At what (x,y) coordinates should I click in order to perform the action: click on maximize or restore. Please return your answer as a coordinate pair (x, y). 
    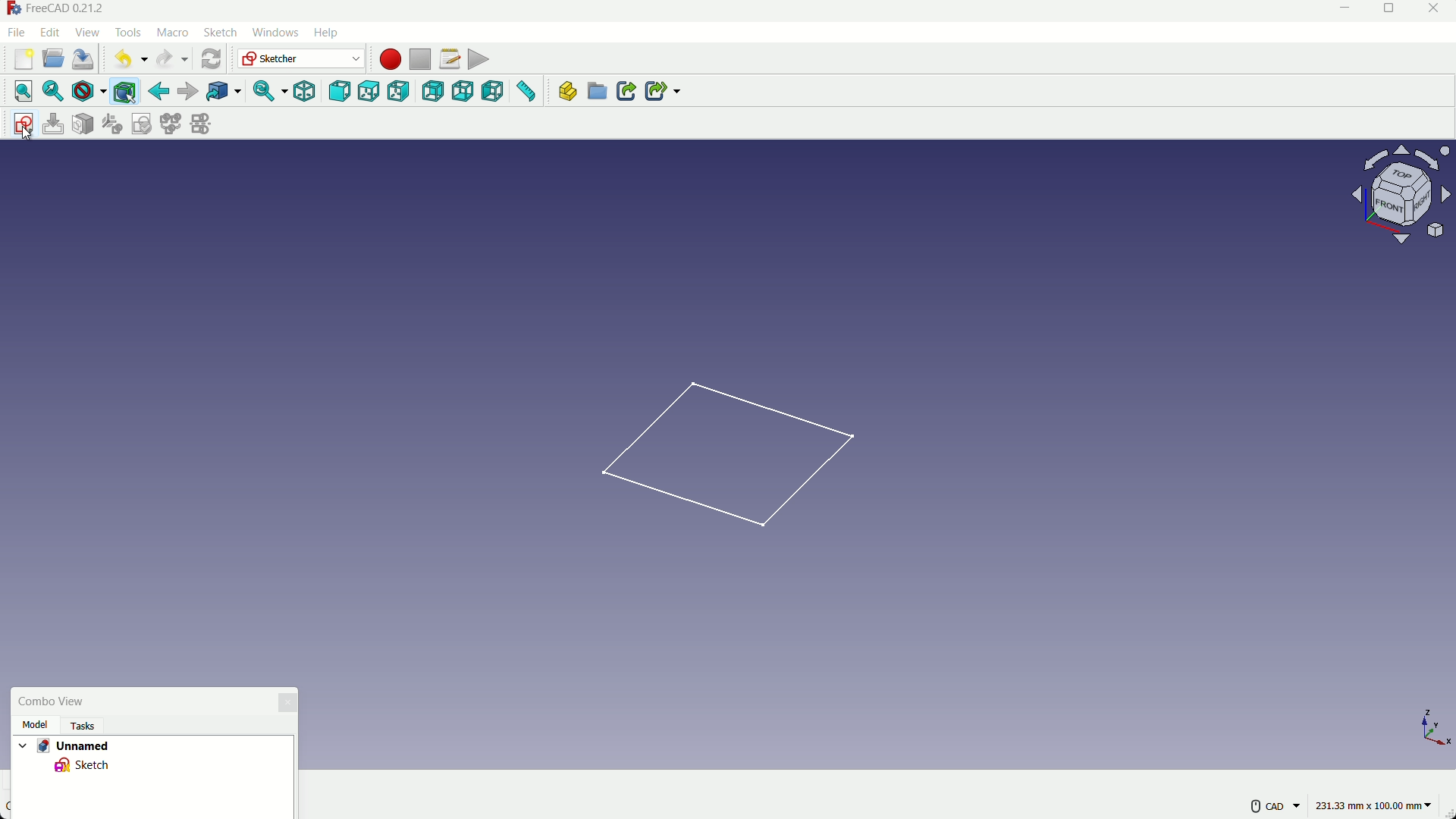
    Looking at the image, I should click on (1391, 11).